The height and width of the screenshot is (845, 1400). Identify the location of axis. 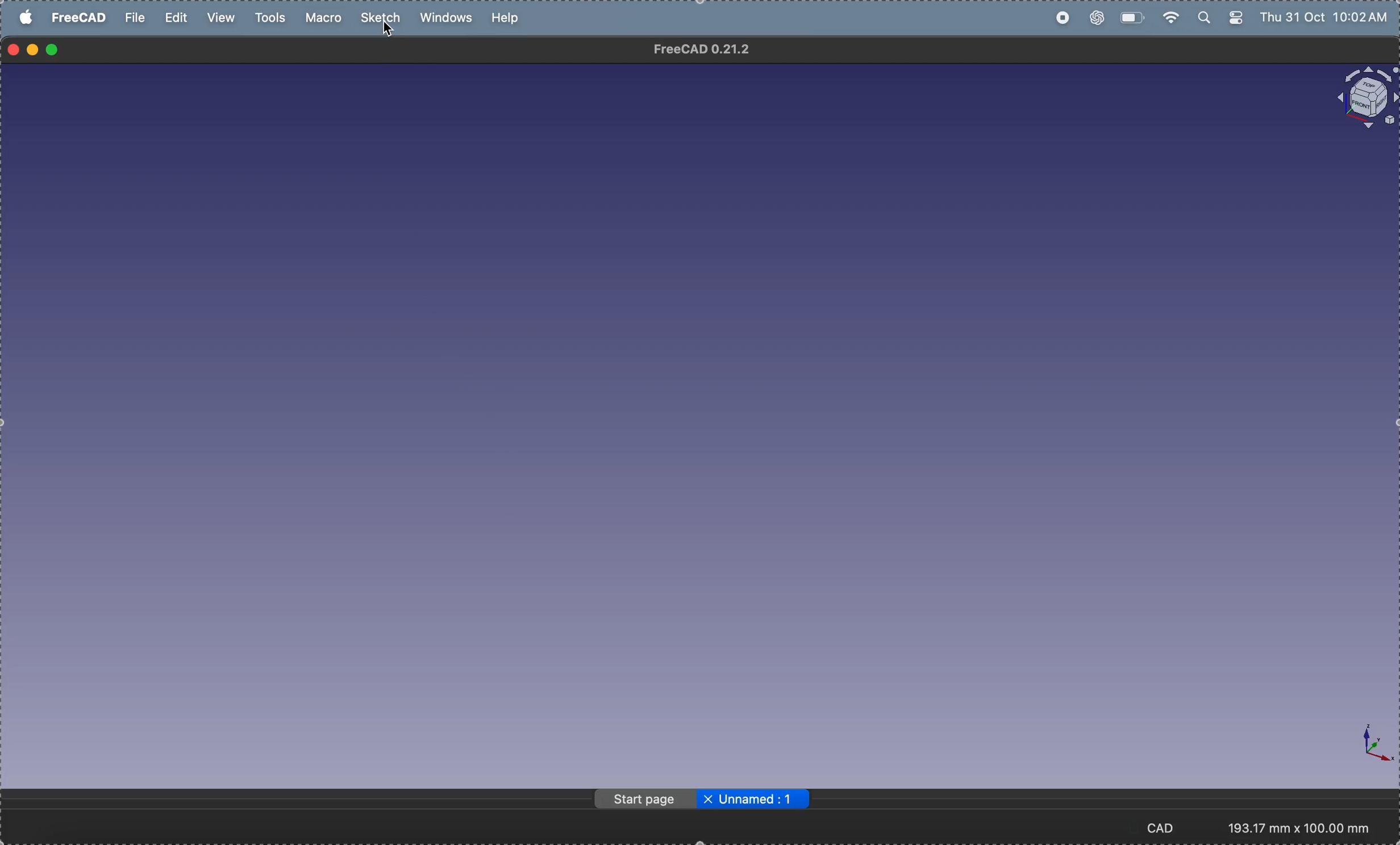
(1366, 742).